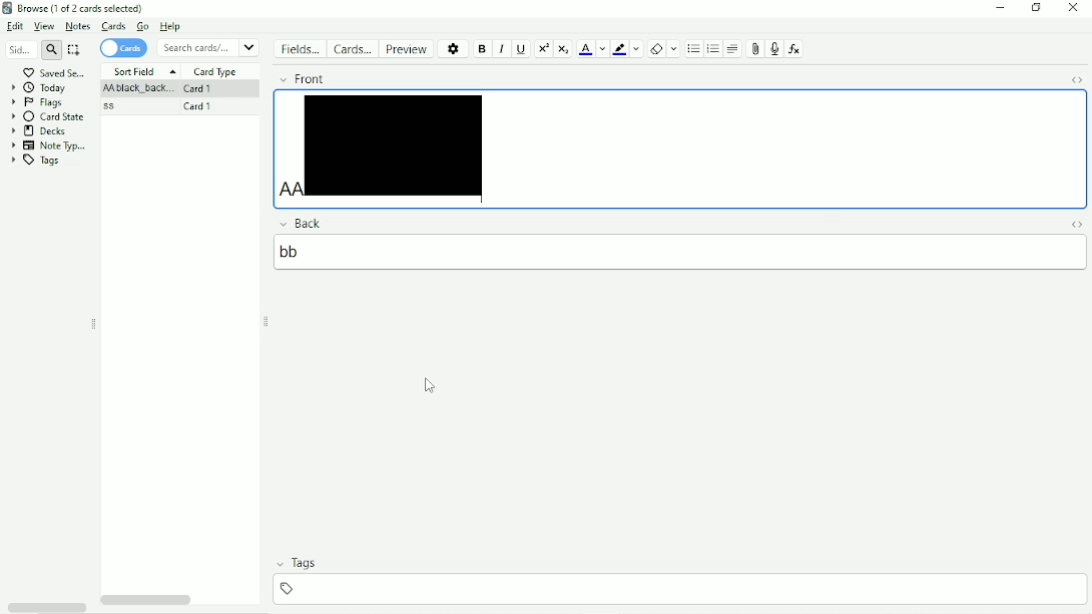 This screenshot has height=614, width=1092. I want to click on Superscript, so click(543, 49).